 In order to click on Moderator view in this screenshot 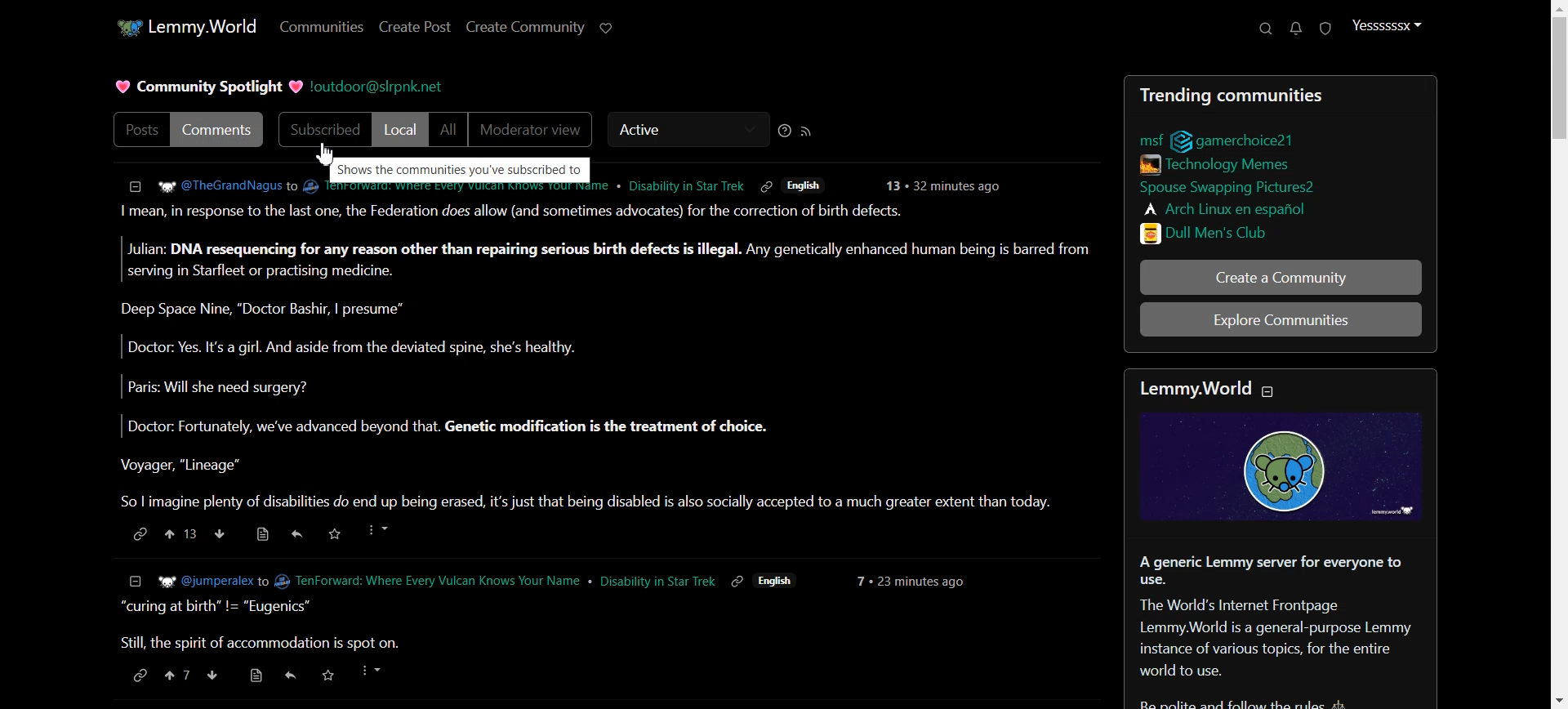, I will do `click(532, 131)`.